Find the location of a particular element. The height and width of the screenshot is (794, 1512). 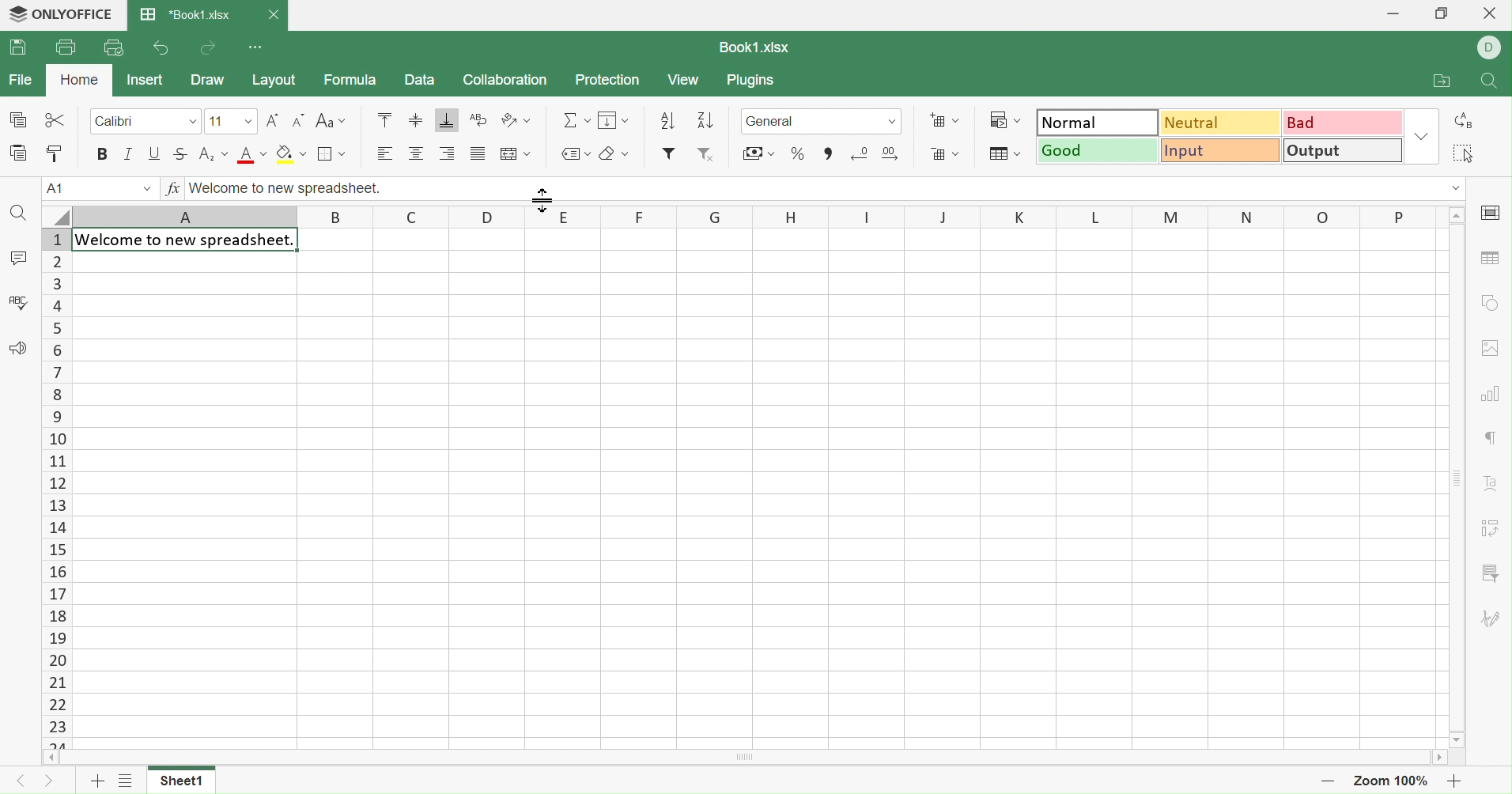

Signature settings is located at coordinates (1491, 621).